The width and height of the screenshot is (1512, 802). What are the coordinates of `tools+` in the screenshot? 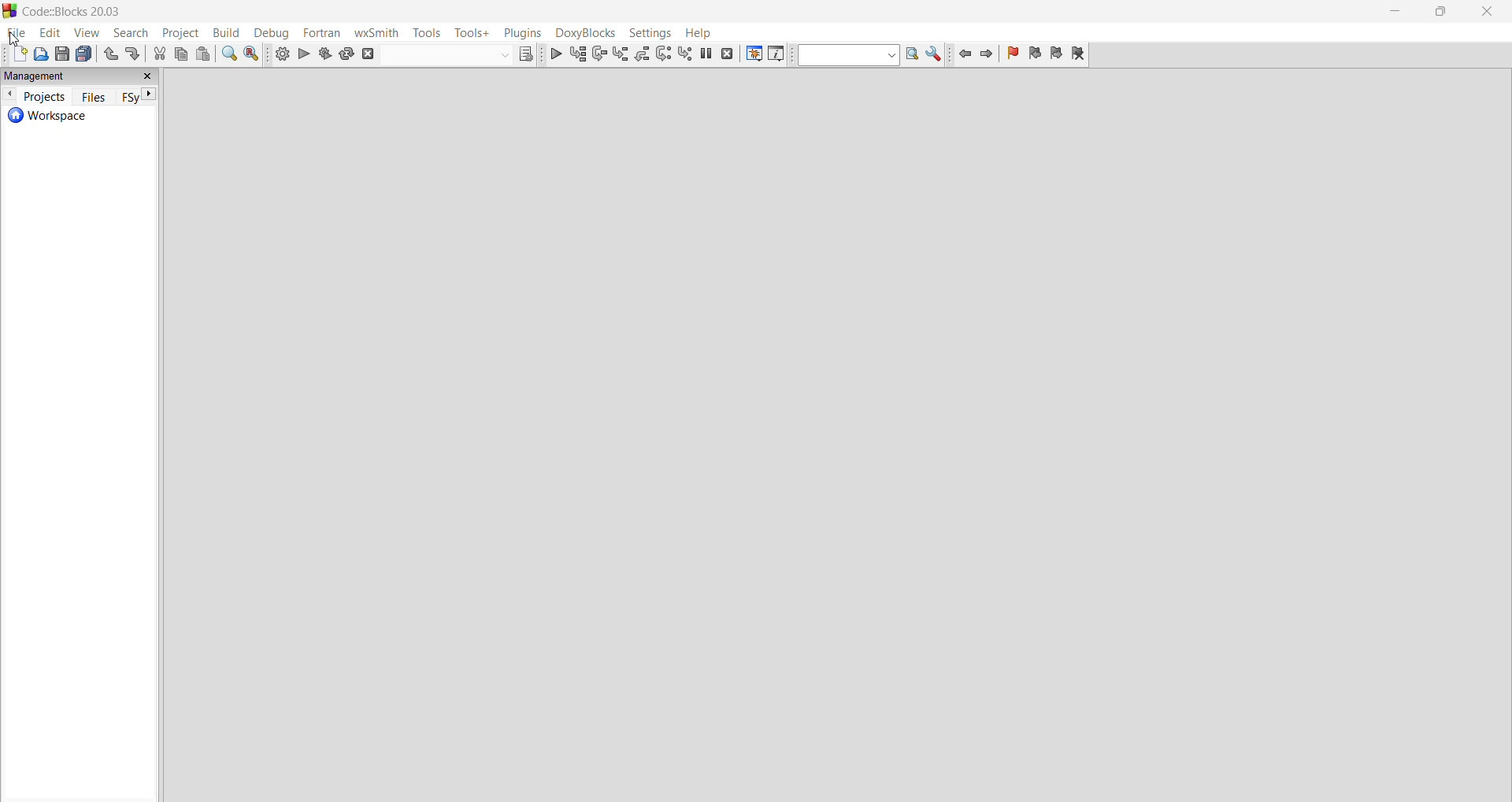 It's located at (471, 32).